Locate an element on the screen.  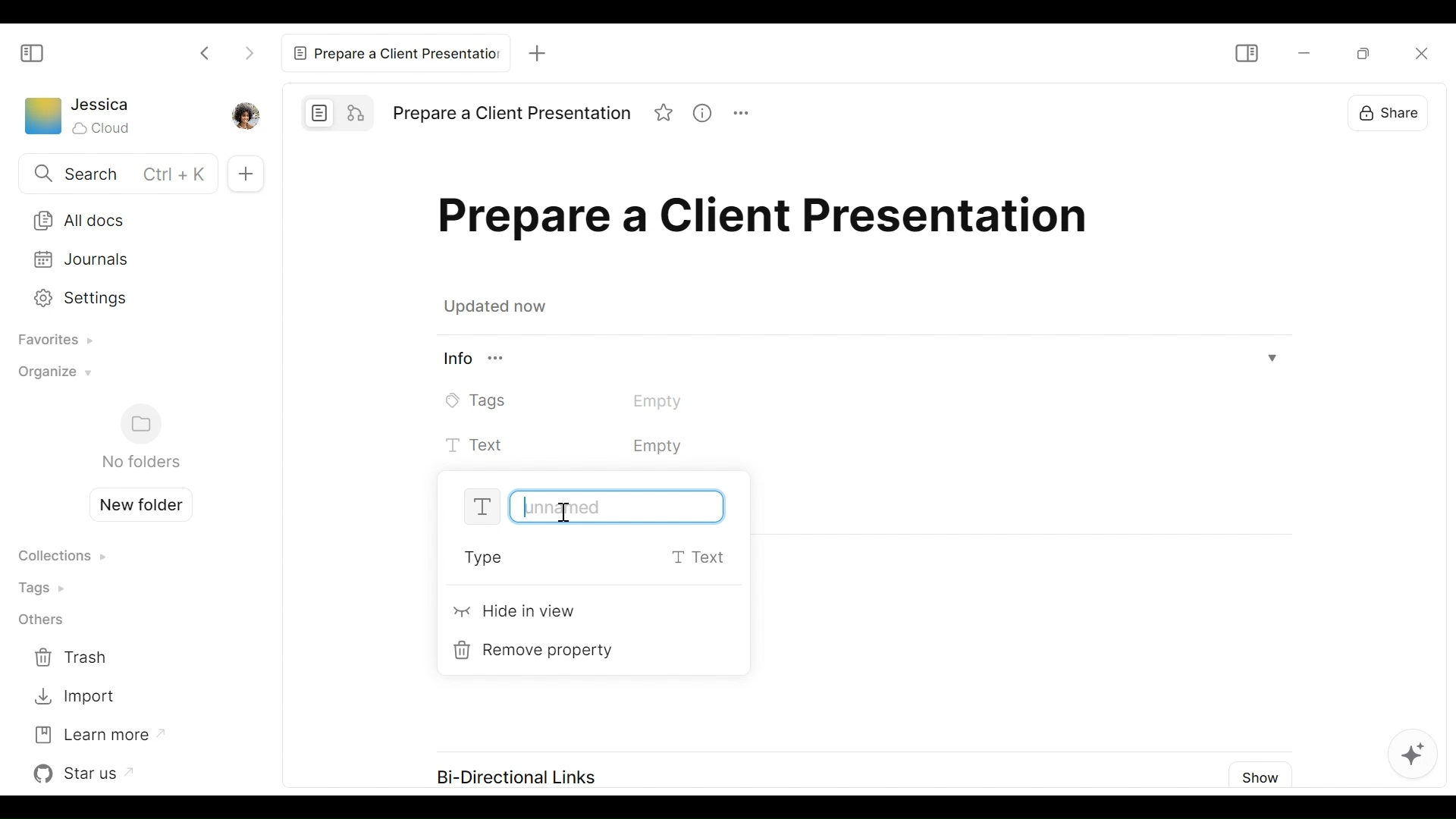
Favorites is located at coordinates (50, 341).